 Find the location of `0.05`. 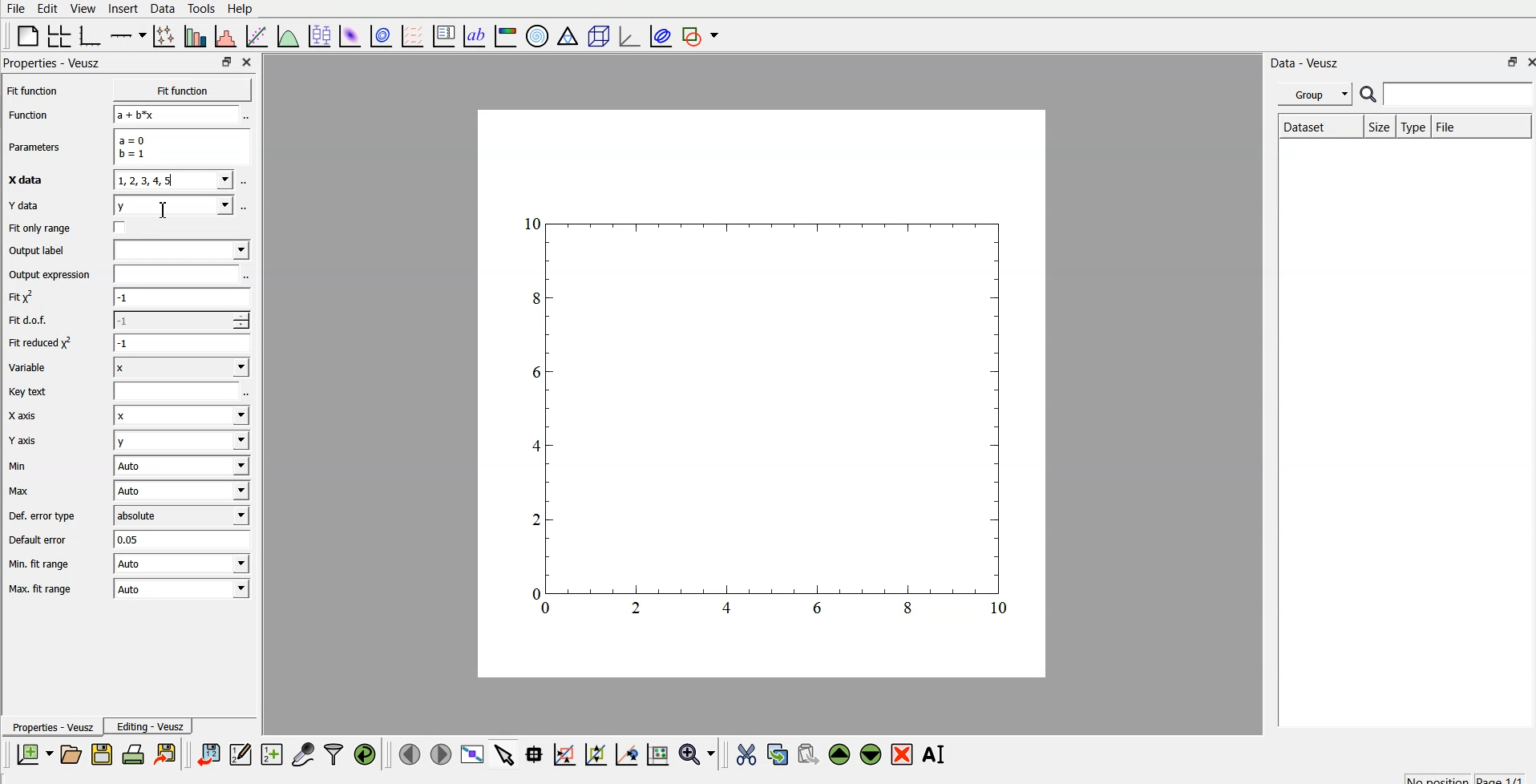

0.05 is located at coordinates (180, 540).